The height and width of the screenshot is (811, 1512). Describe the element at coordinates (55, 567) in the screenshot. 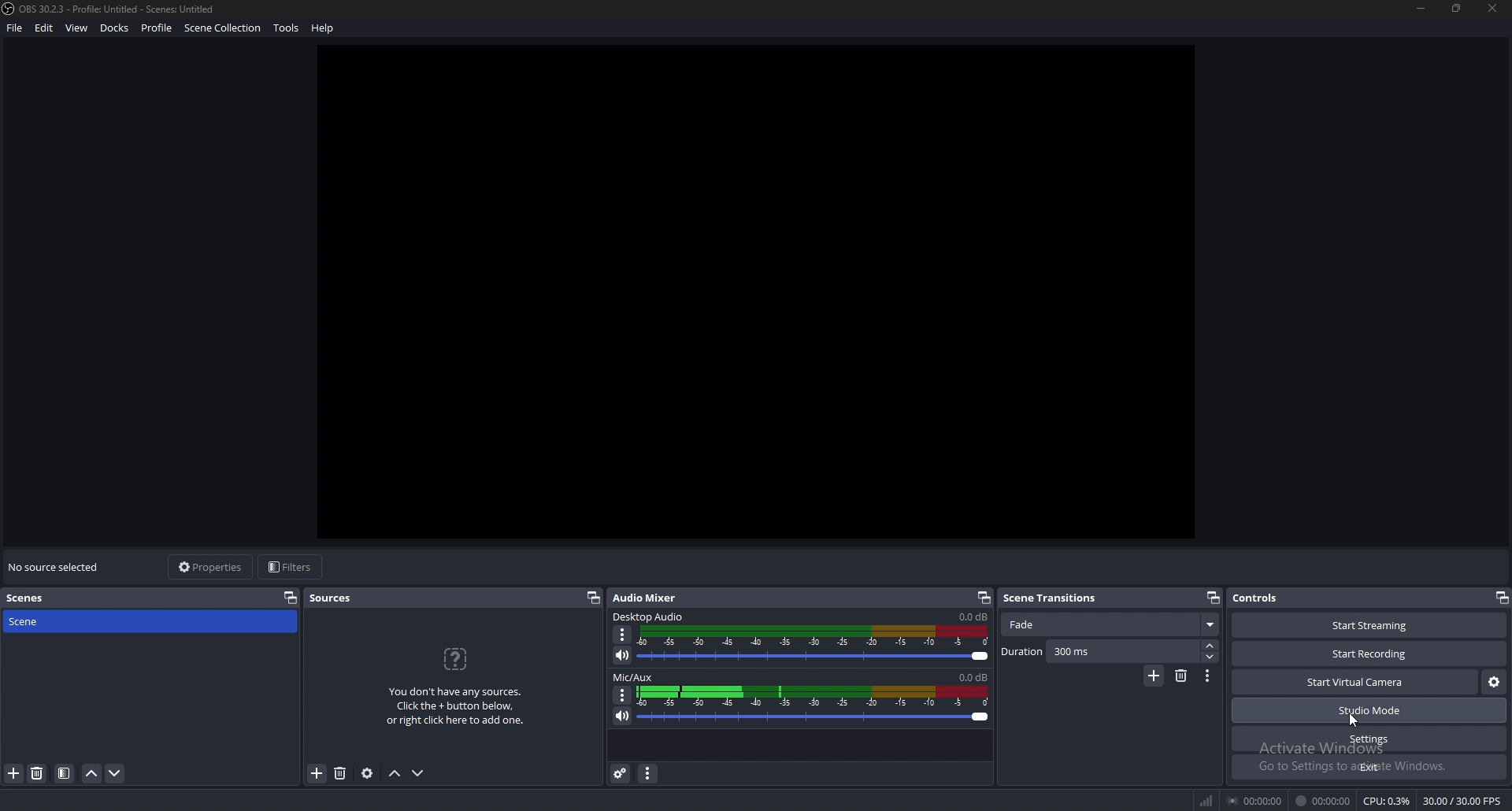

I see `no source selected` at that location.